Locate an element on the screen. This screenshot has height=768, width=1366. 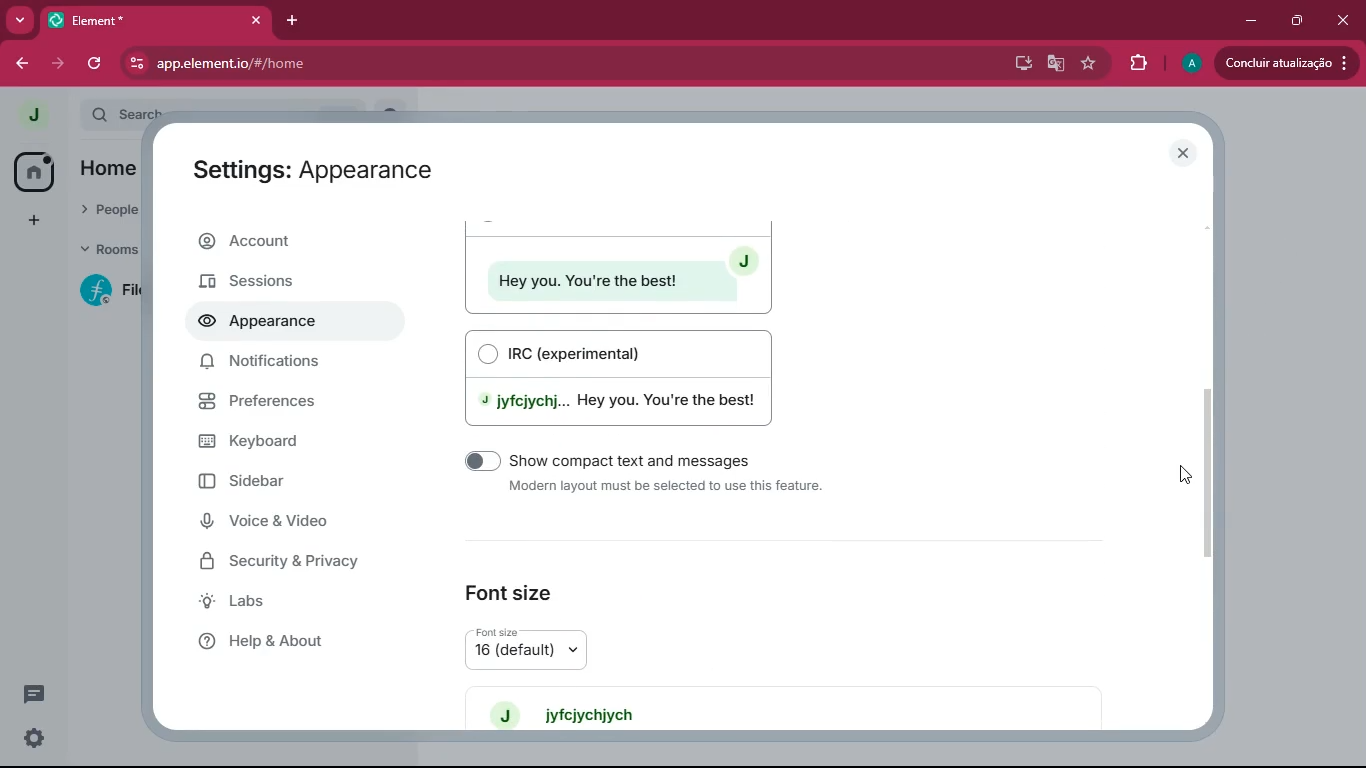
add is located at coordinates (29, 220).